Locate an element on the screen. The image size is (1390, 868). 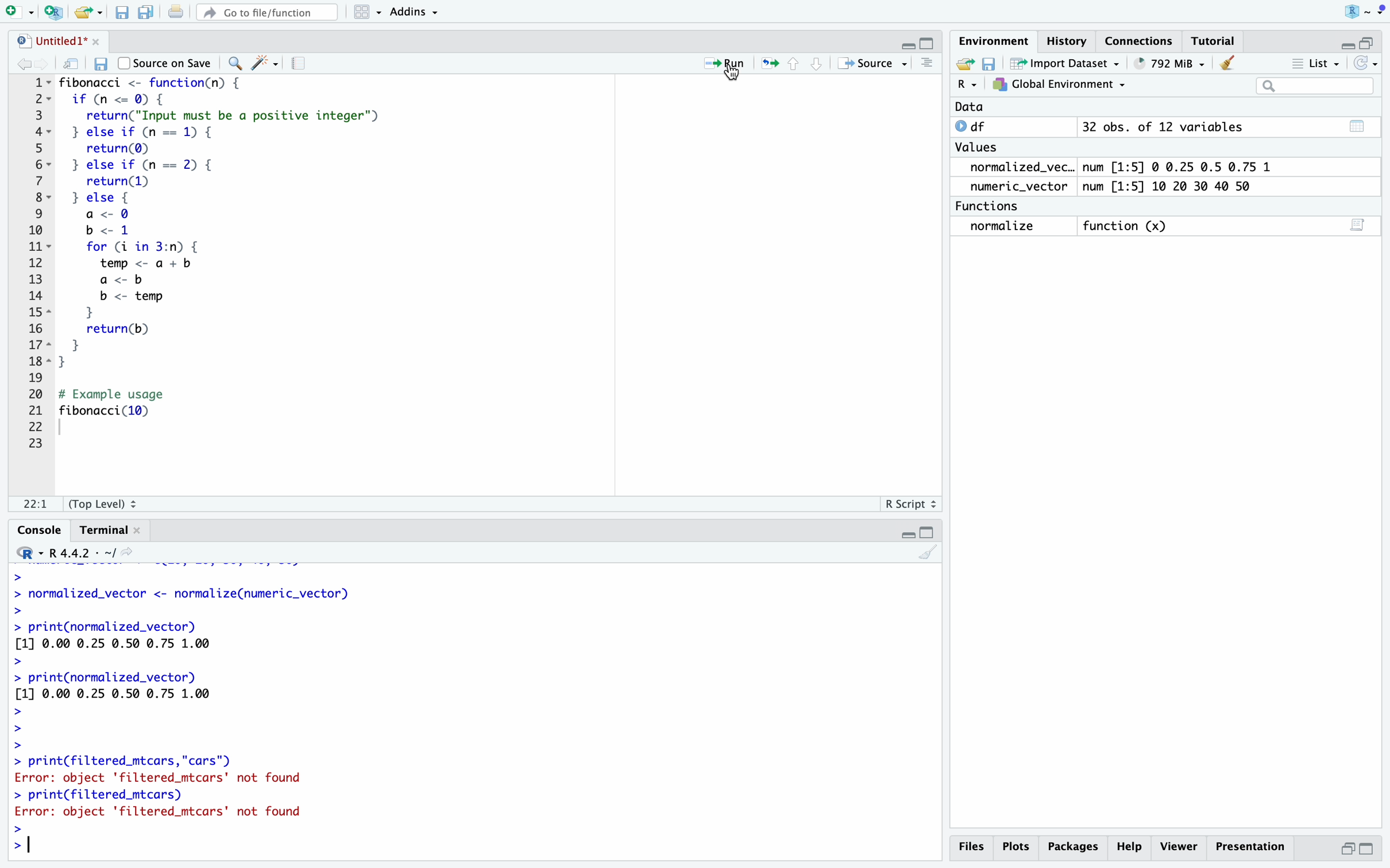
32 obs. of 12 variables is located at coordinates (1164, 126).